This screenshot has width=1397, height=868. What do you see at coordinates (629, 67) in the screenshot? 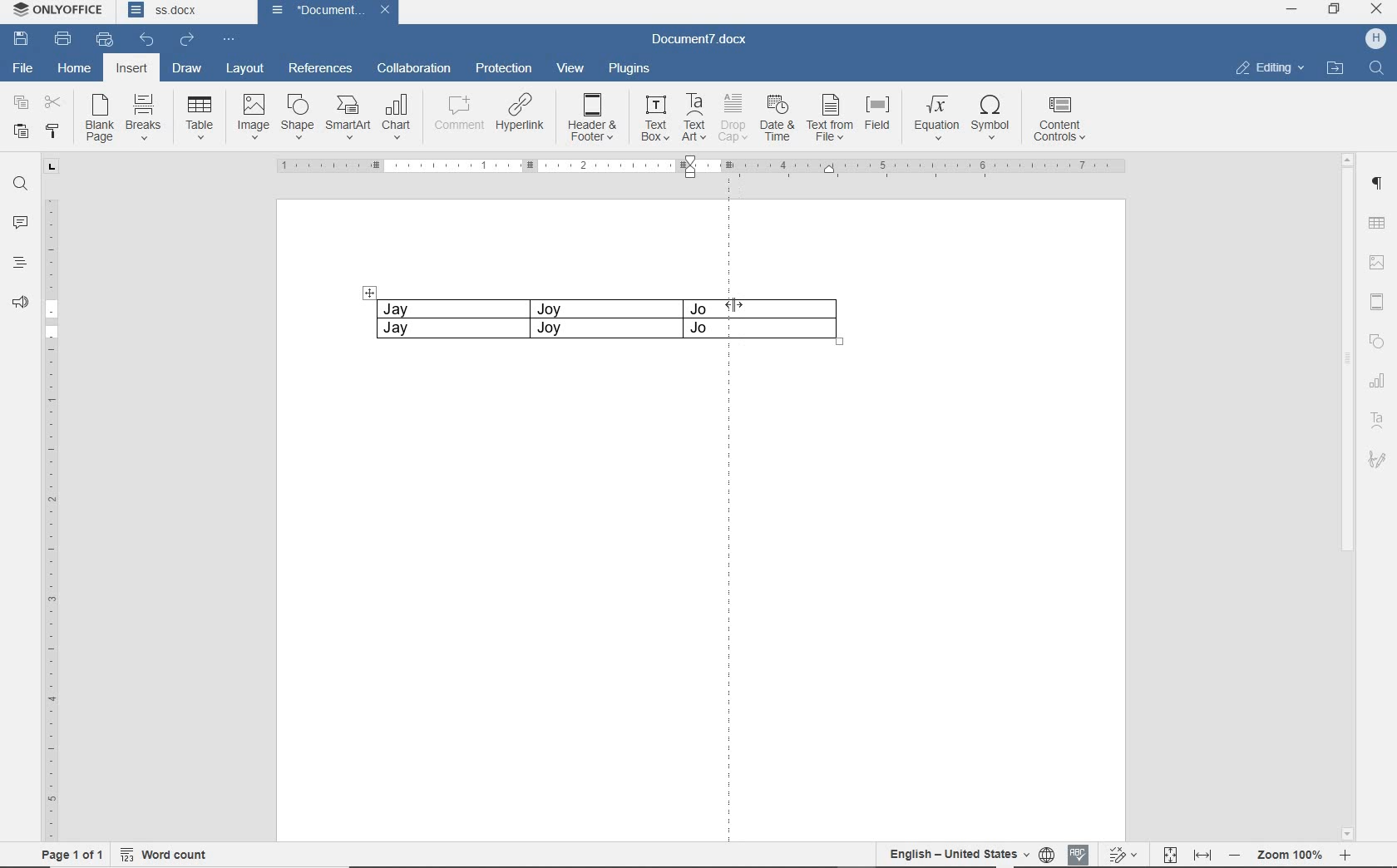
I see `PLUGINS` at bounding box center [629, 67].